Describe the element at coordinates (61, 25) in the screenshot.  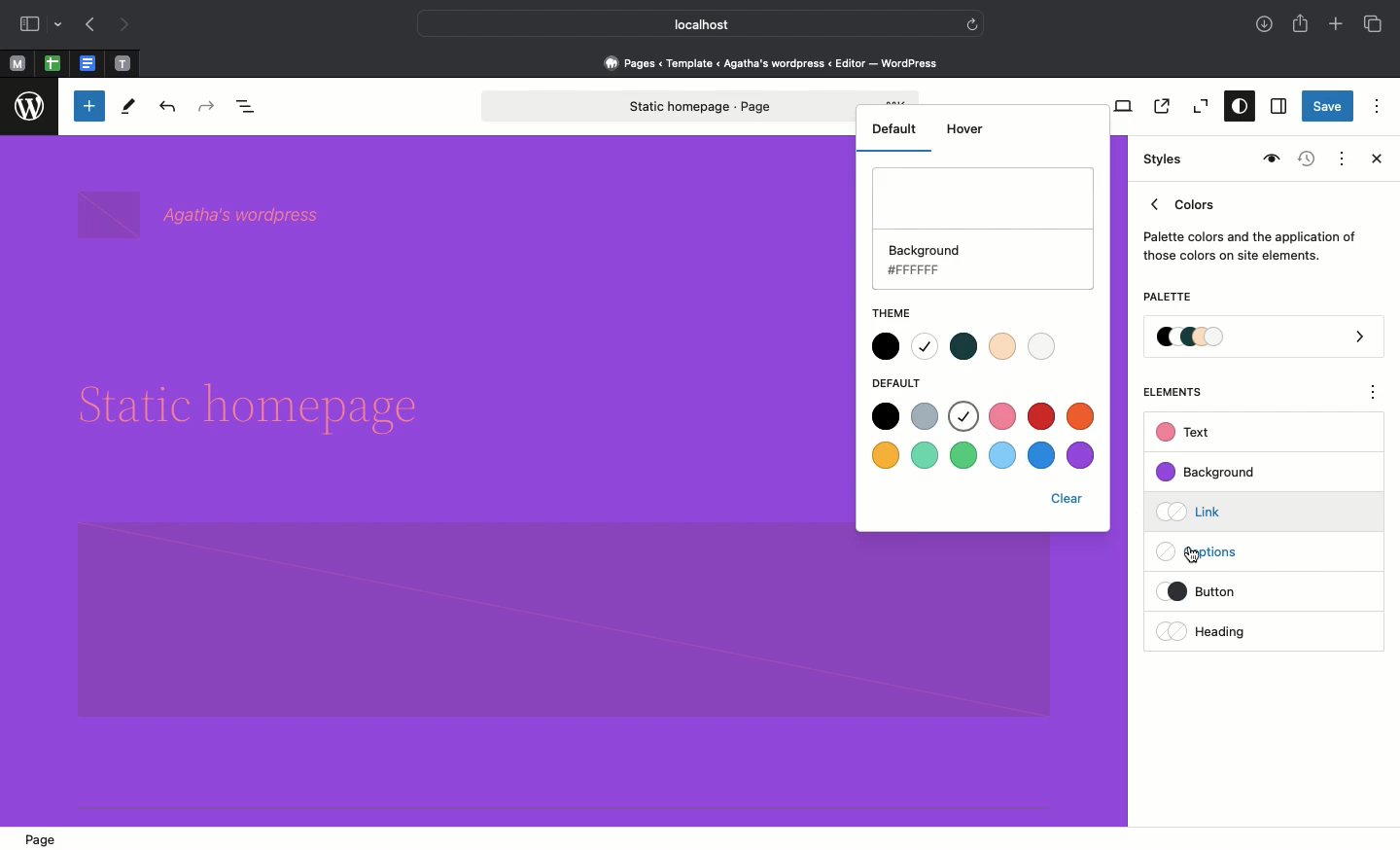
I see `drop-down` at that location.